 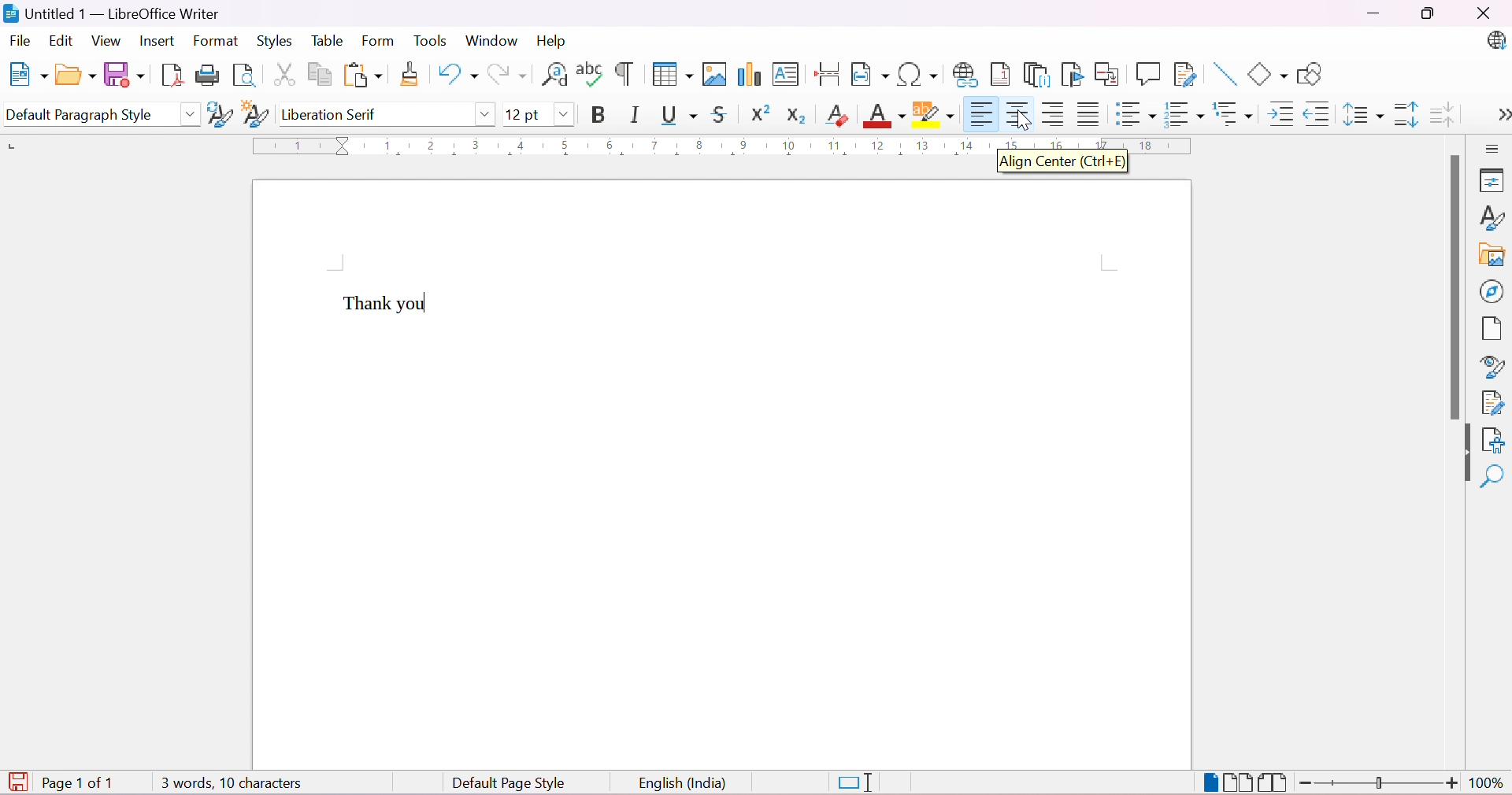 What do you see at coordinates (82, 784) in the screenshot?
I see `Page 1 of 1` at bounding box center [82, 784].